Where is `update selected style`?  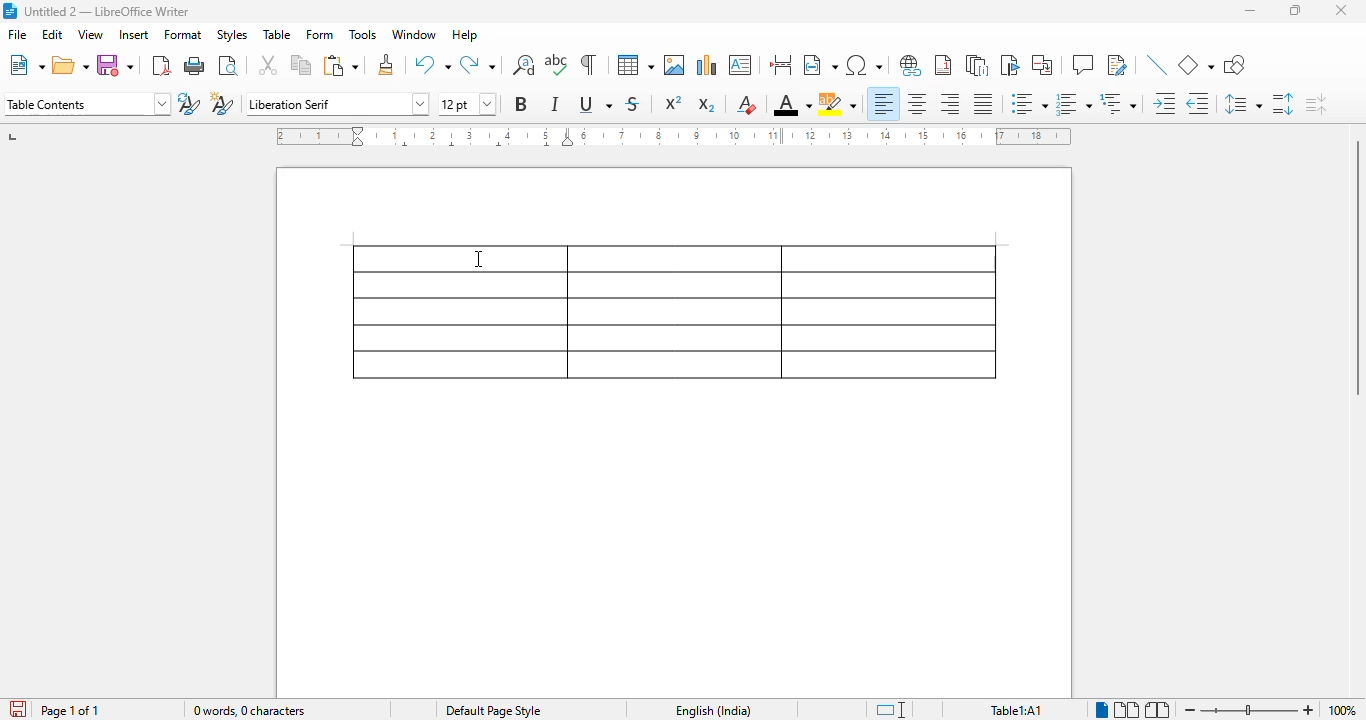 update selected style is located at coordinates (189, 103).